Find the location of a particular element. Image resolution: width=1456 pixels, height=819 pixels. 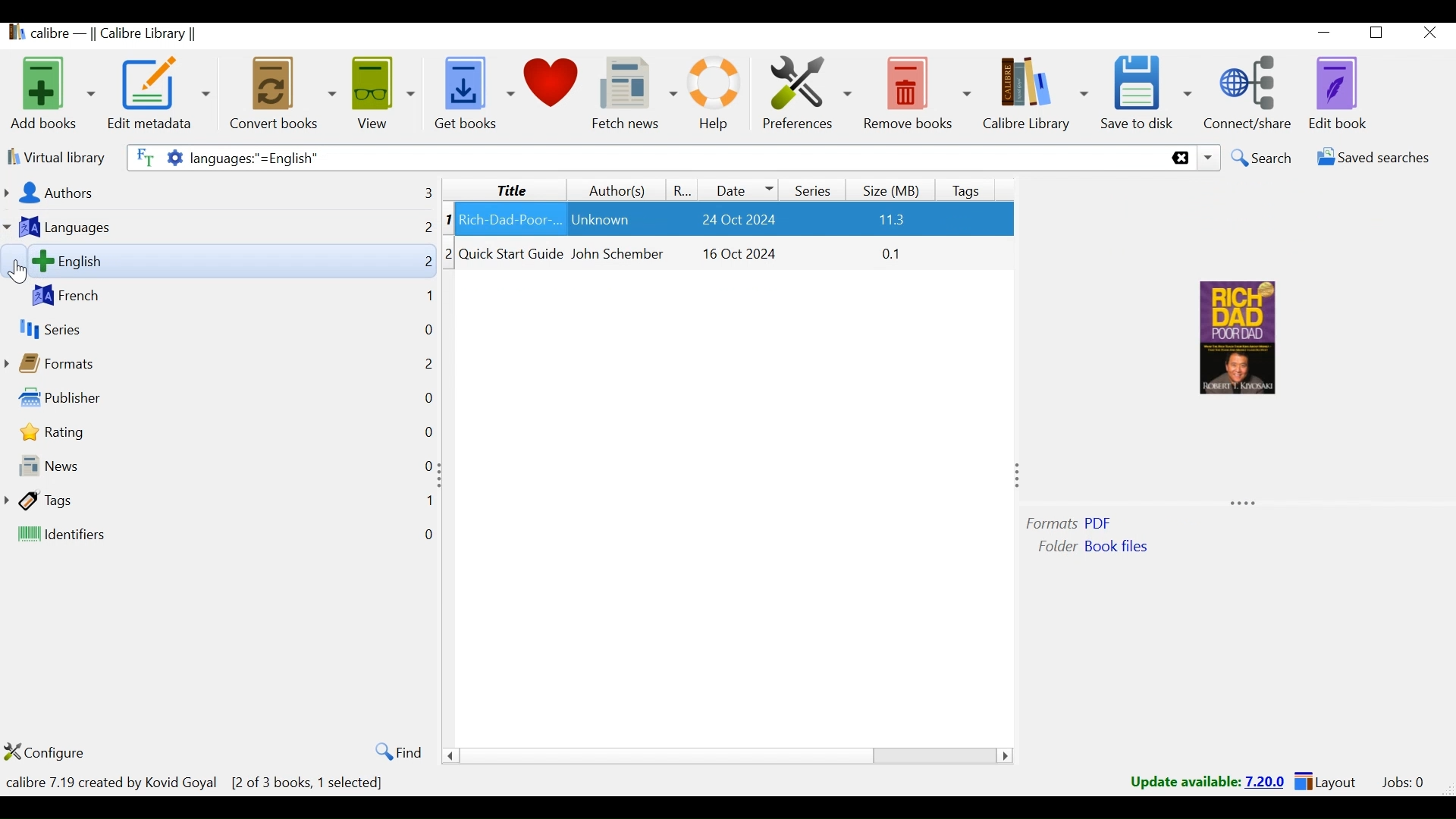

calibre-calibre library is located at coordinates (121, 35).